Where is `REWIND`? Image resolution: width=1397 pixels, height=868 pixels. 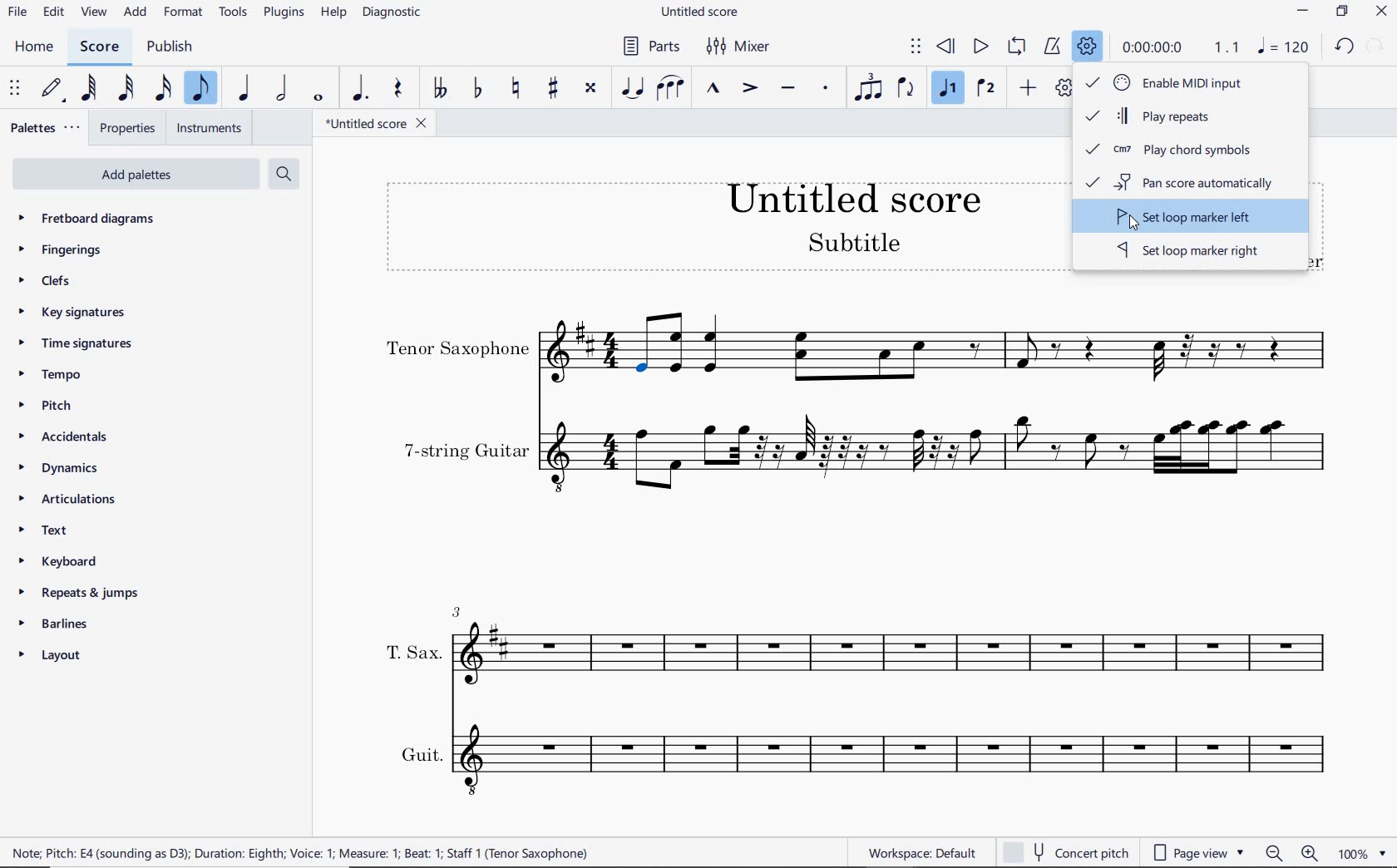
REWIND is located at coordinates (949, 45).